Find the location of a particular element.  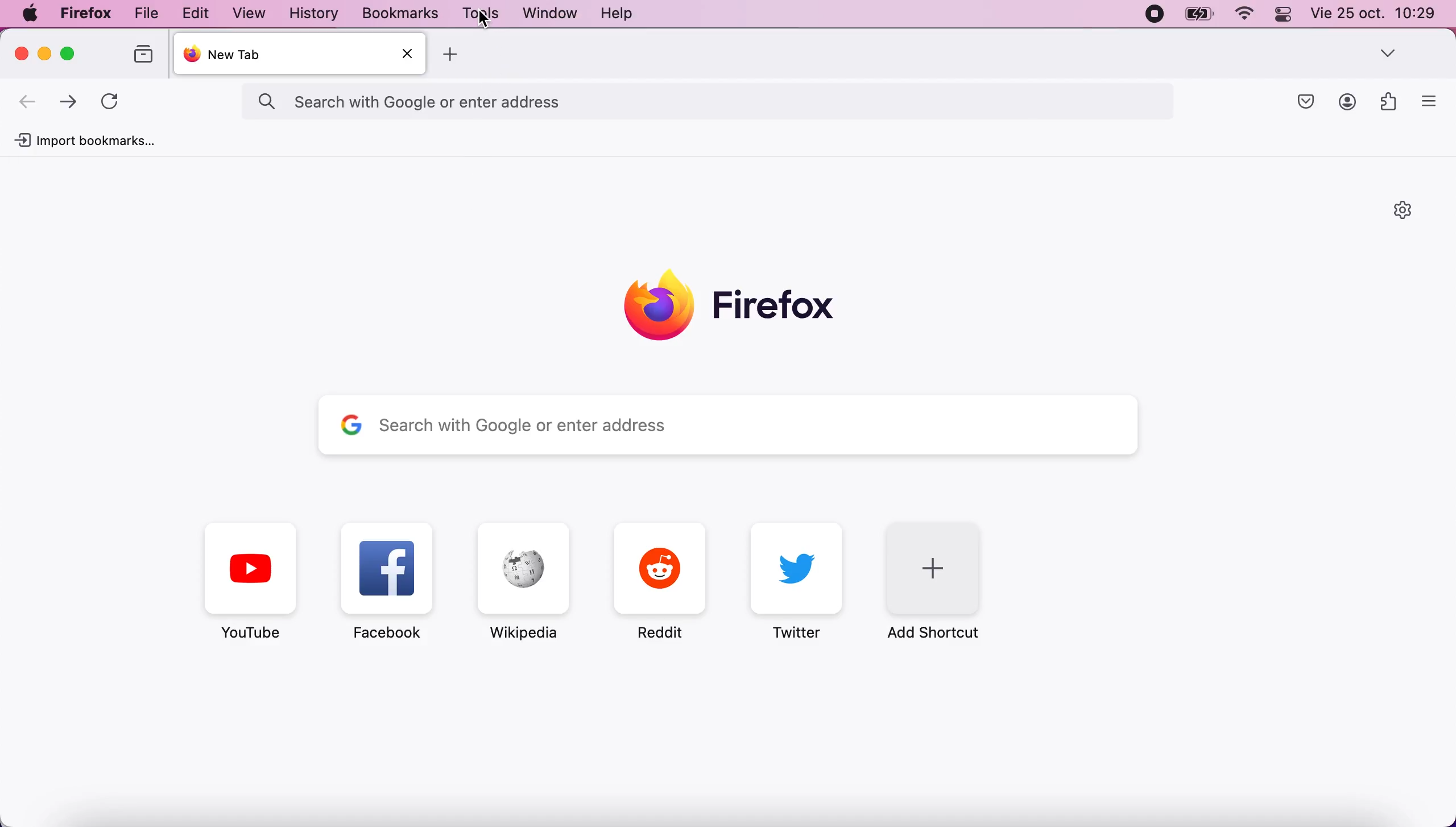

Add Shortcut is located at coordinates (941, 581).